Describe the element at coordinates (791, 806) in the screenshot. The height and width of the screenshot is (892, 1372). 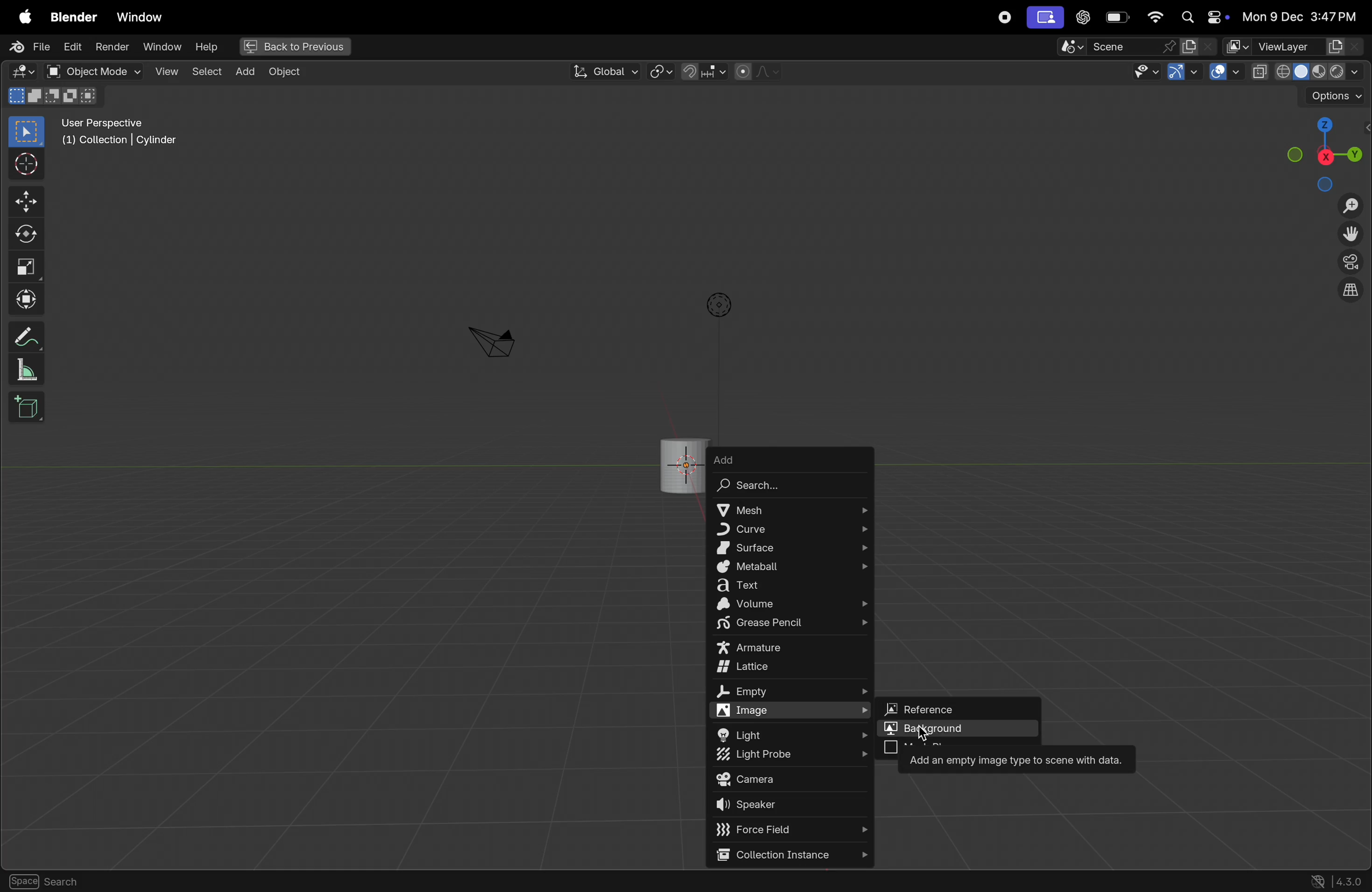
I see `speaker` at that location.